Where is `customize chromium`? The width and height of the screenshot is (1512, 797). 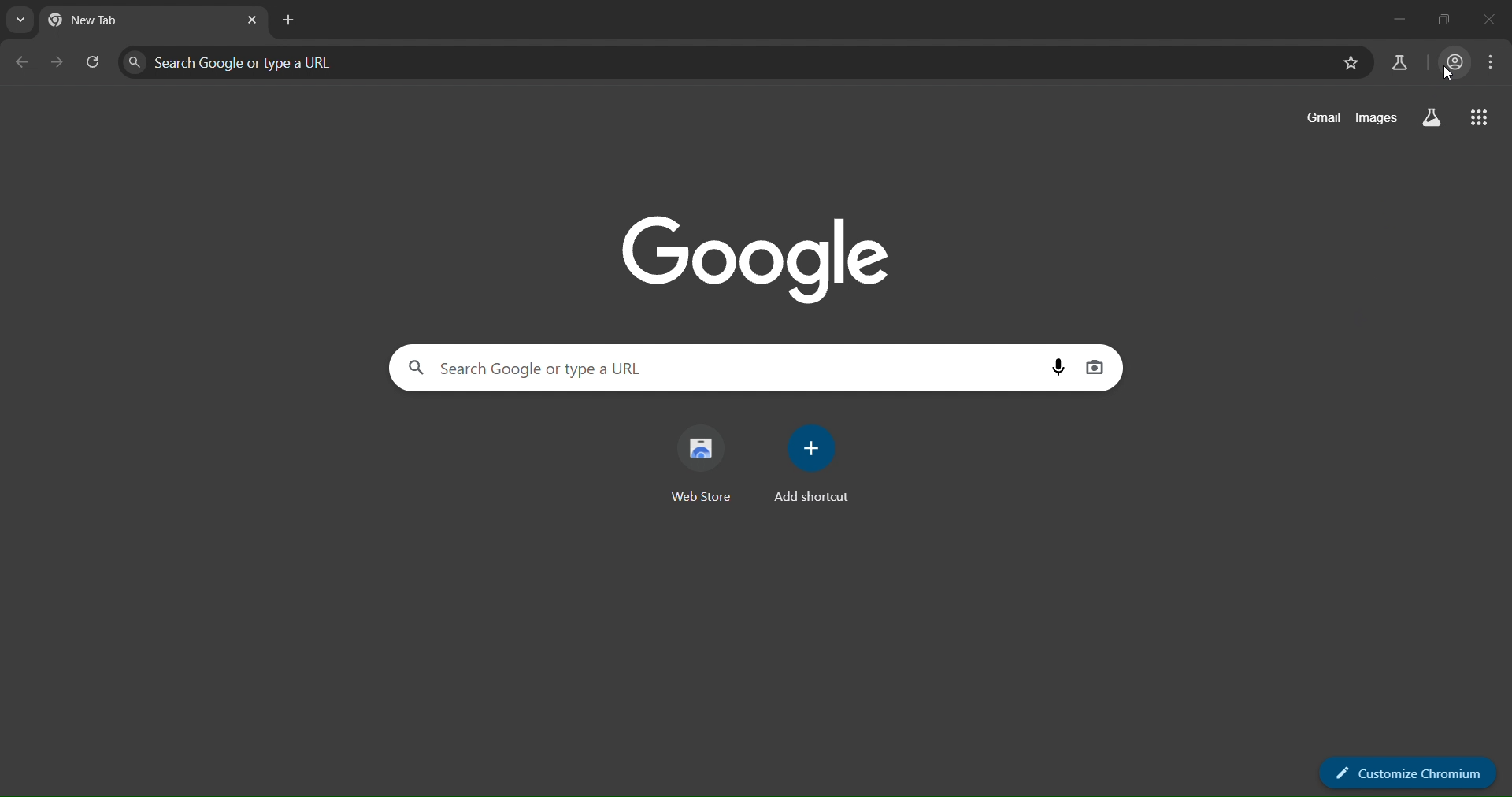 customize chromium is located at coordinates (1409, 773).